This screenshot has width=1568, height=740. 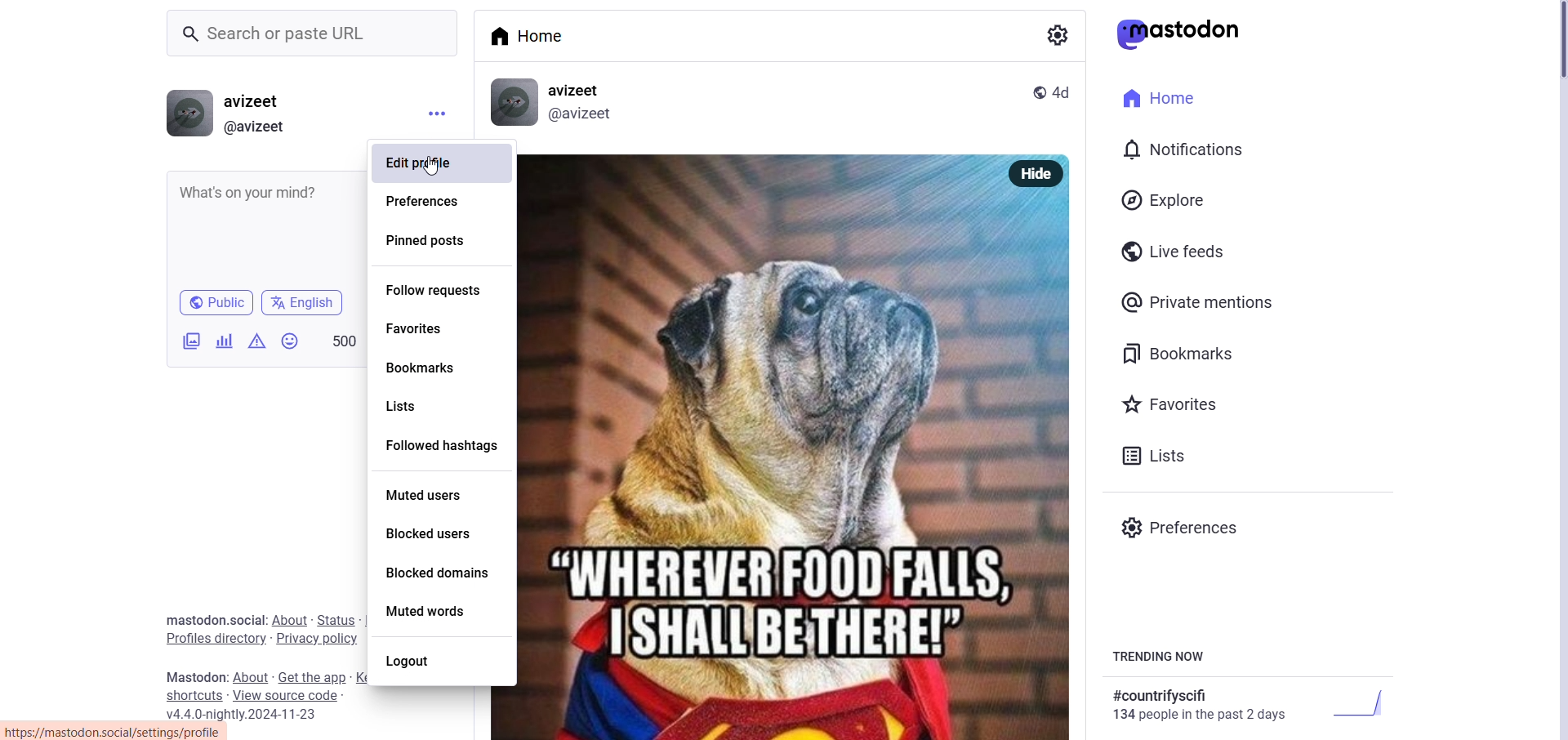 What do you see at coordinates (791, 465) in the screenshot?
I see `post` at bounding box center [791, 465].